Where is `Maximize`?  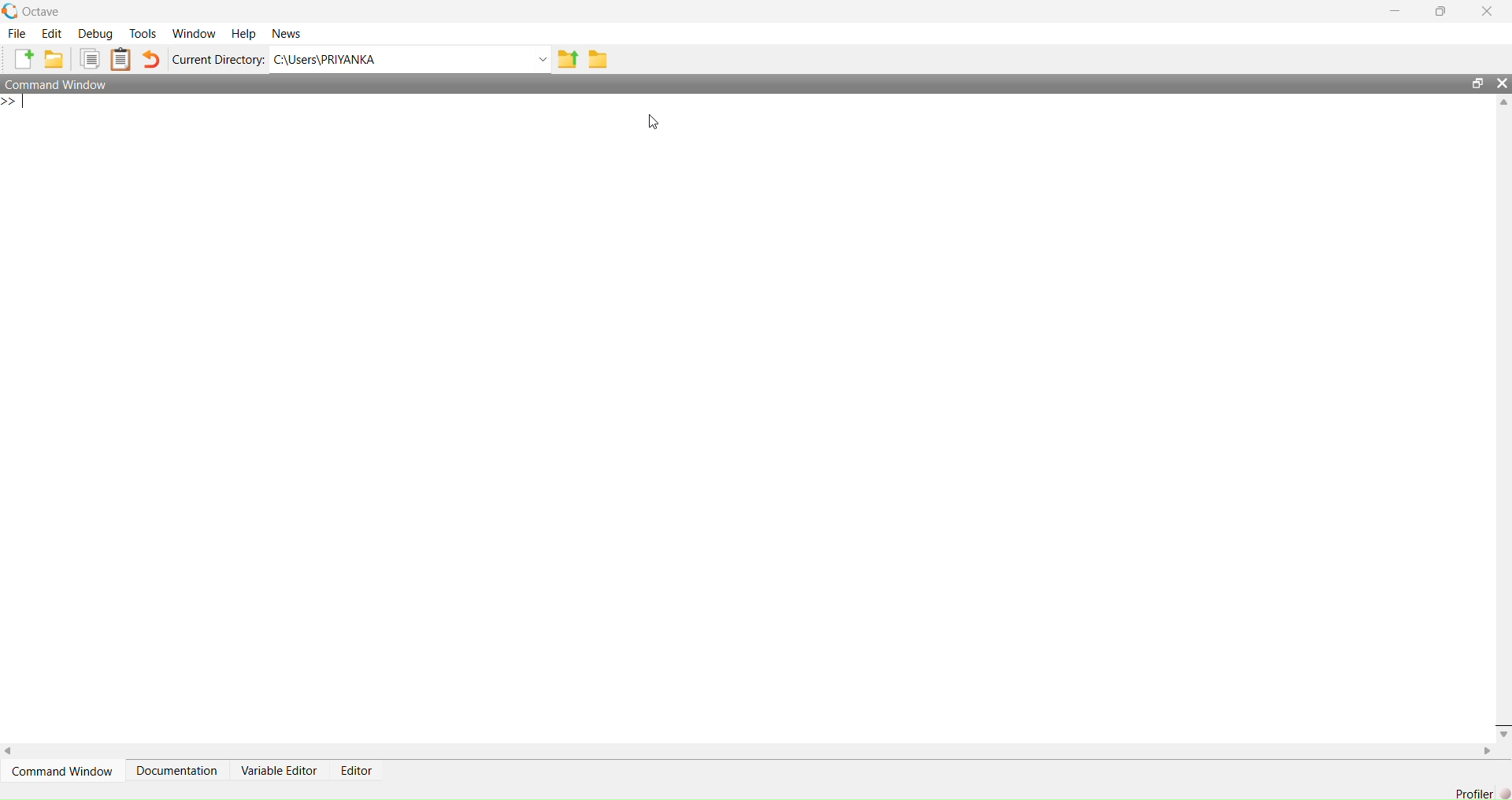 Maximize is located at coordinates (1442, 13).